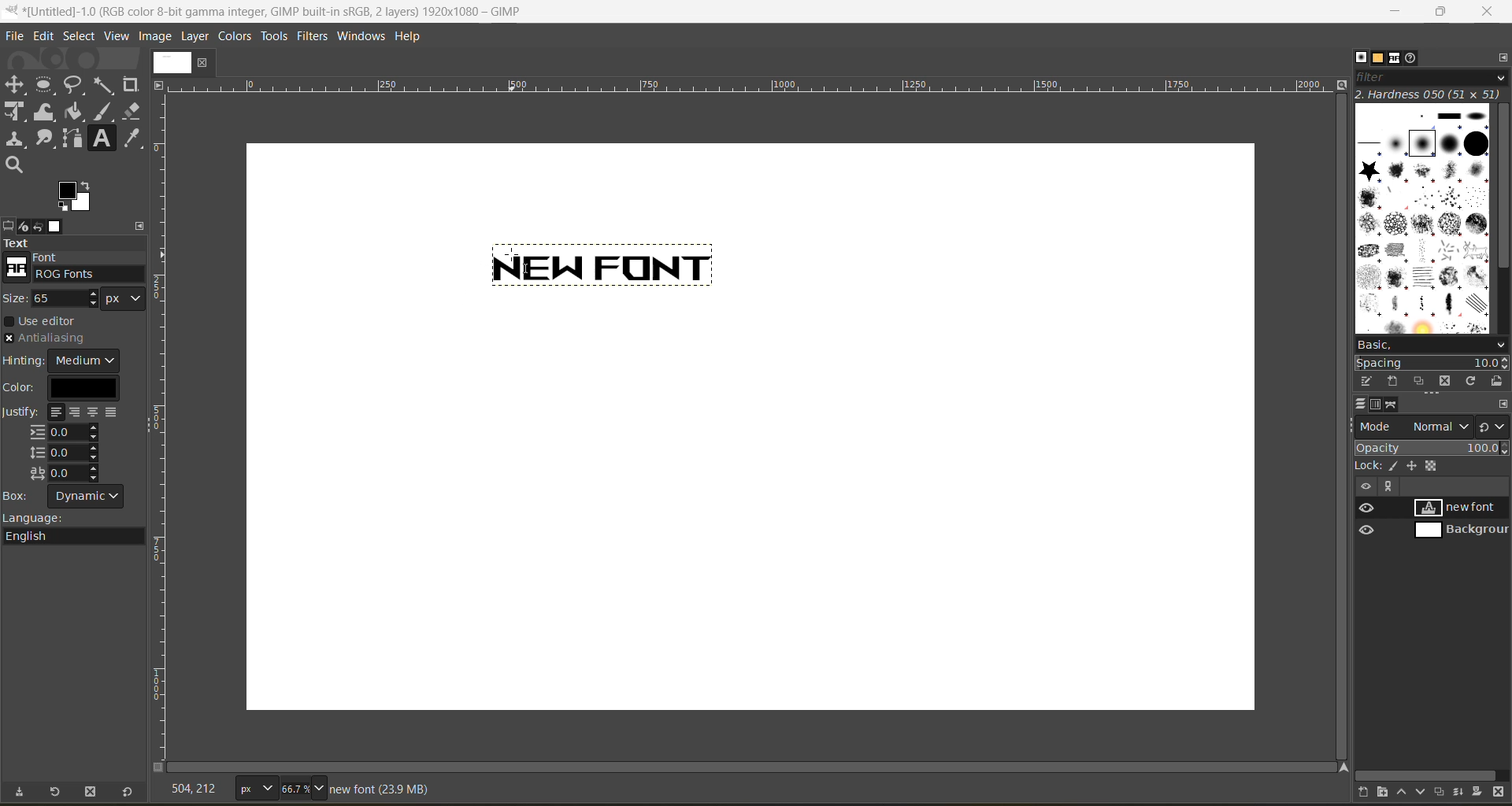 This screenshot has width=1512, height=806. What do you see at coordinates (360, 38) in the screenshot?
I see `windows` at bounding box center [360, 38].